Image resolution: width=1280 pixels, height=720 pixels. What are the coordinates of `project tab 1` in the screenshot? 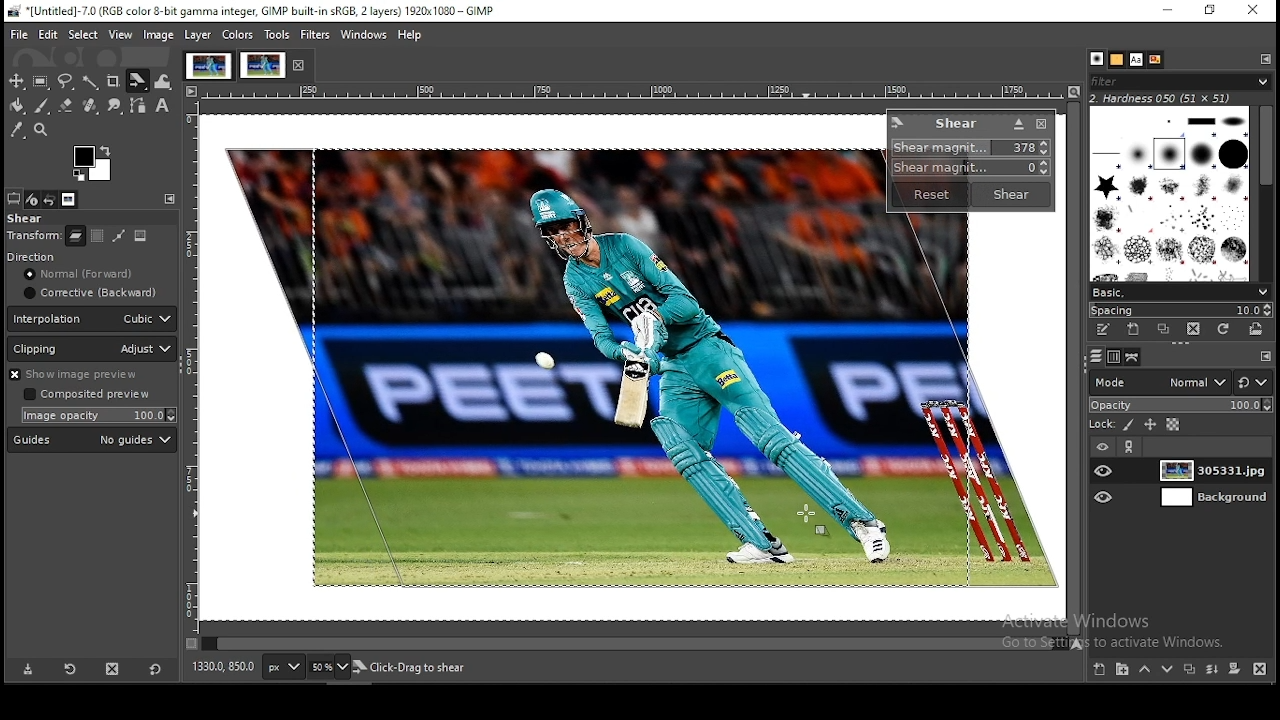 It's located at (208, 66).